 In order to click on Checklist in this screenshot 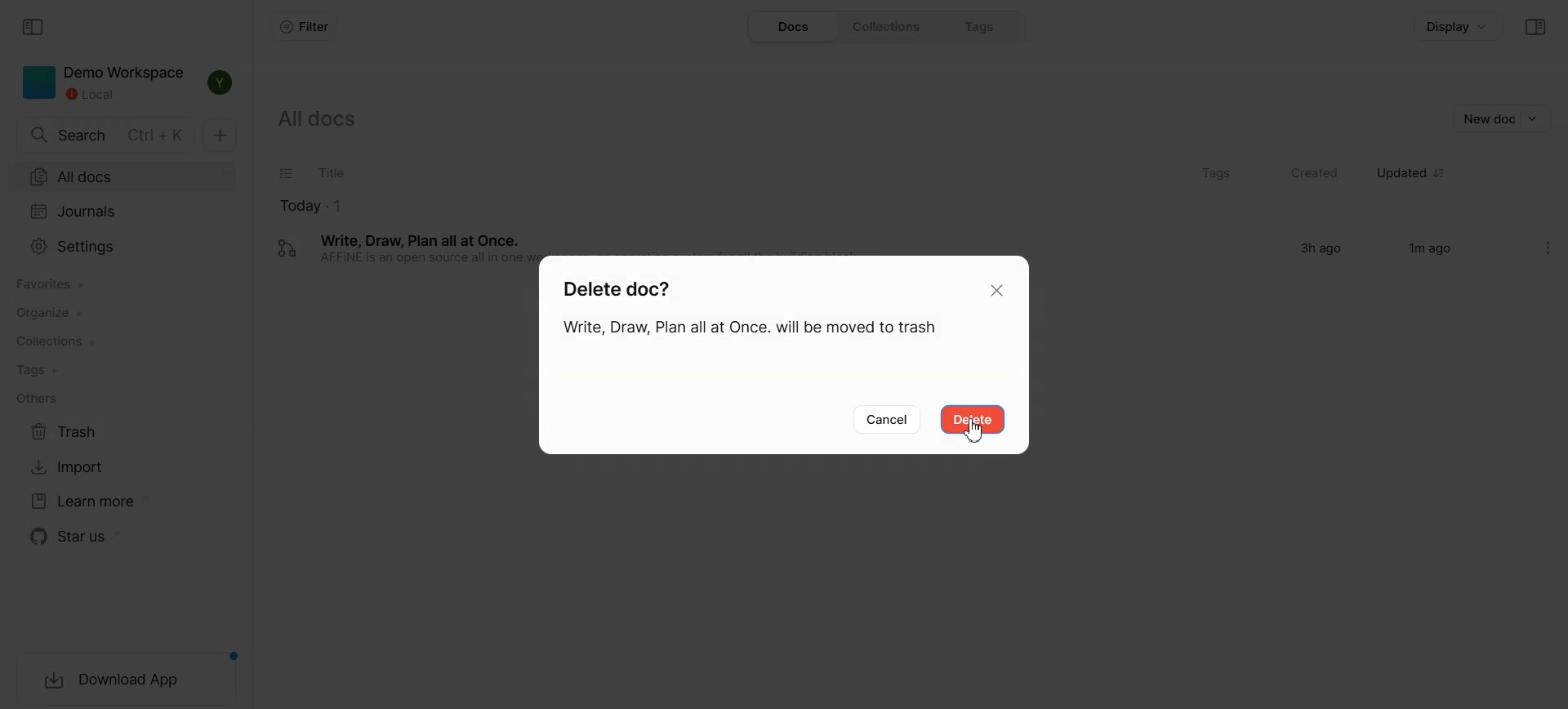, I will do `click(285, 174)`.